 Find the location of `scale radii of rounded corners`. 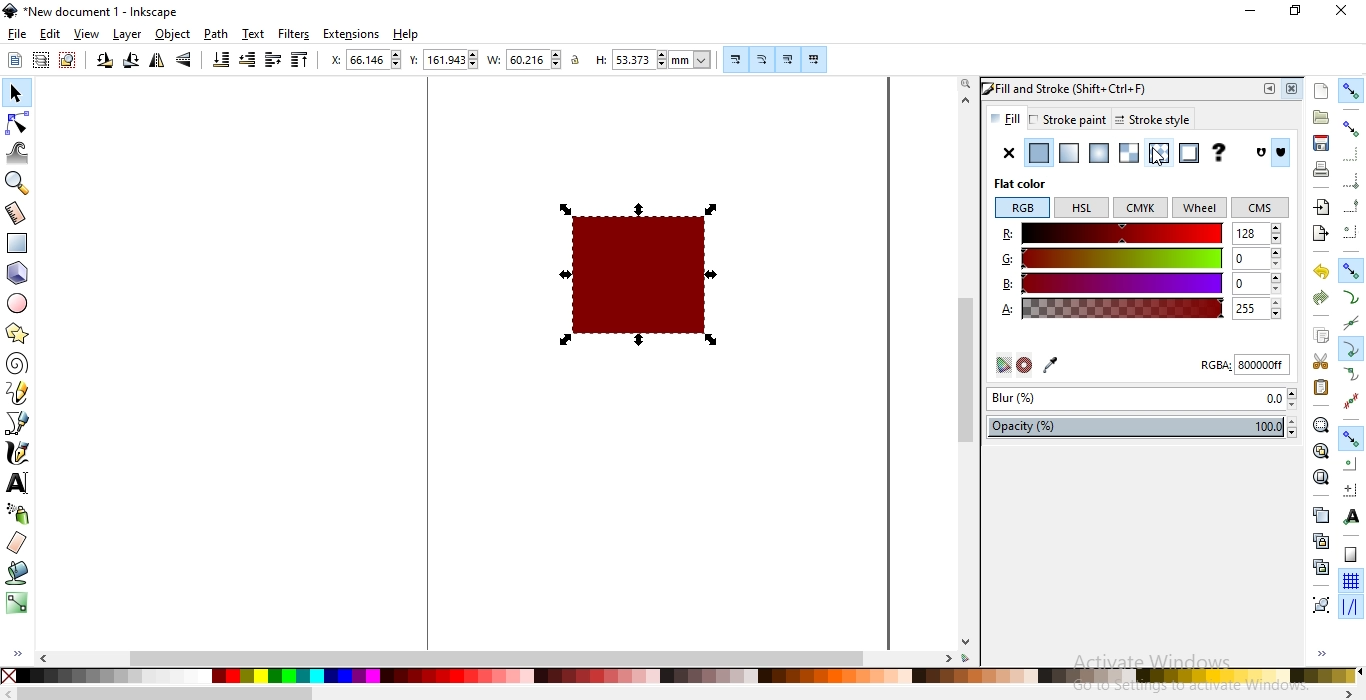

scale radii of rounded corners is located at coordinates (761, 59).